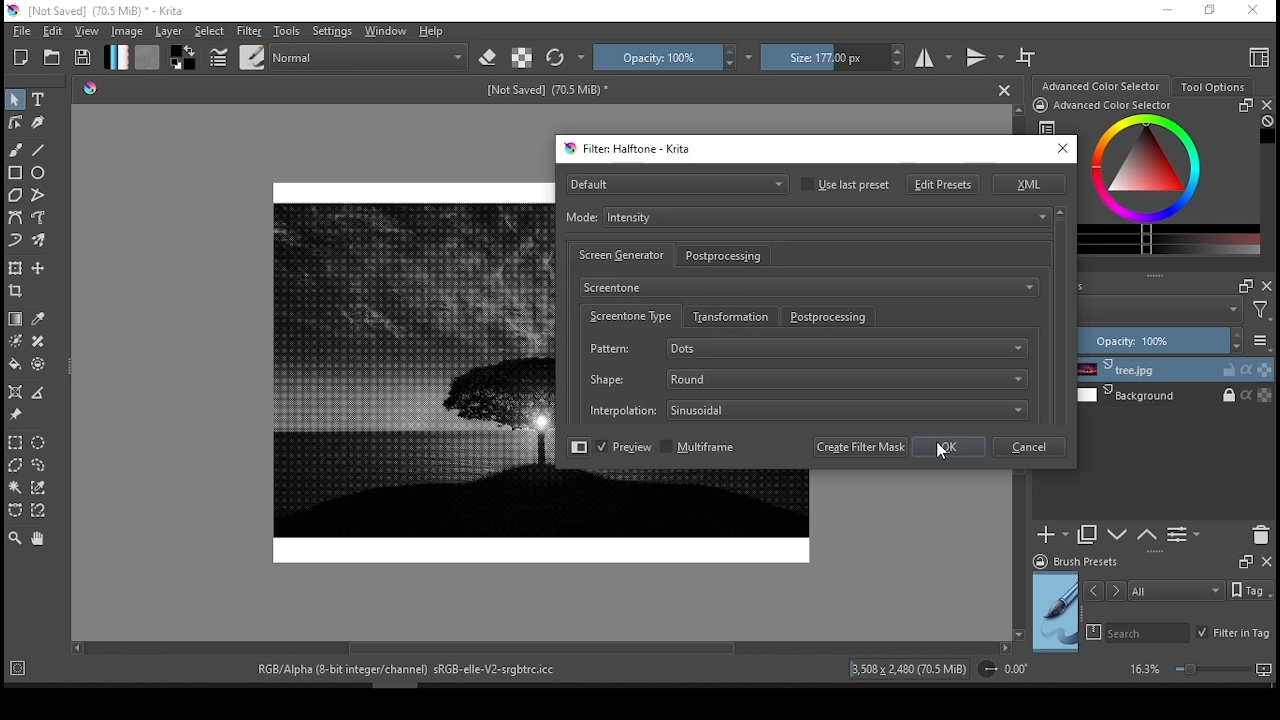 Image resolution: width=1280 pixels, height=720 pixels. What do you see at coordinates (831, 57) in the screenshot?
I see `size` at bounding box center [831, 57].